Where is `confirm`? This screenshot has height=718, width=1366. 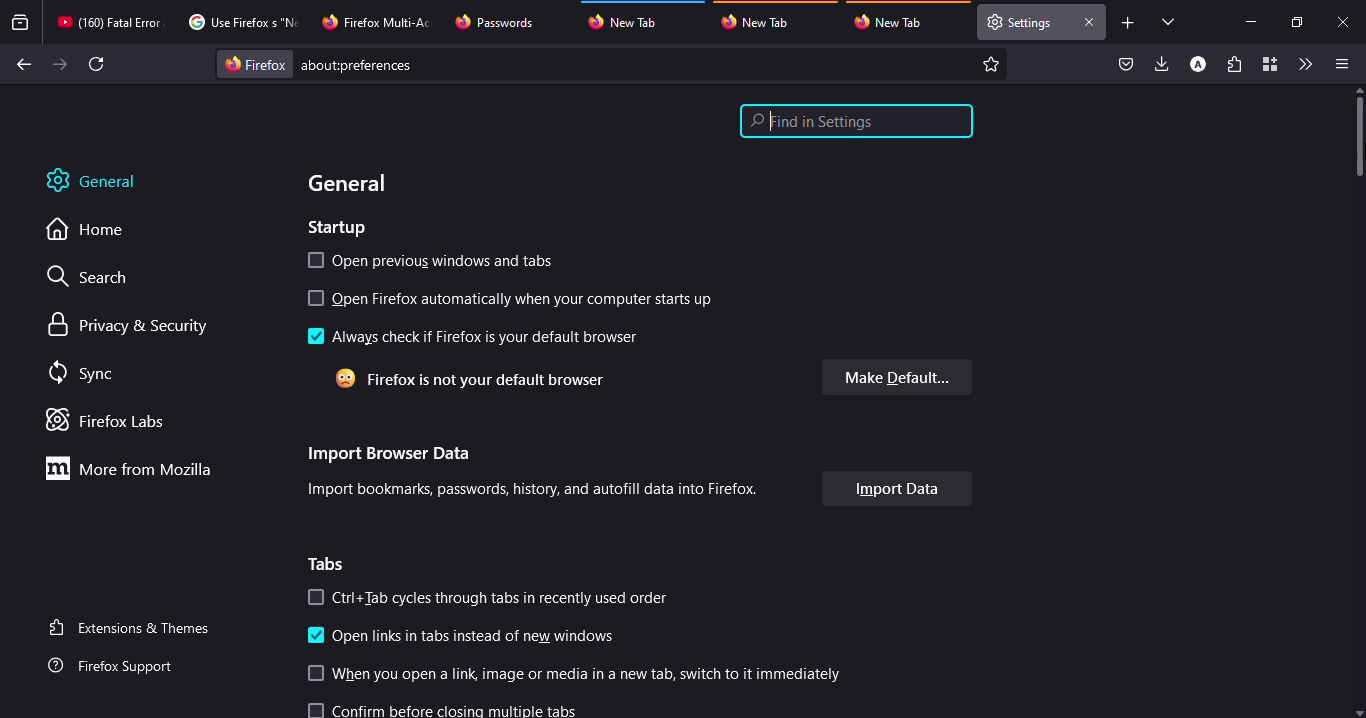
confirm is located at coordinates (465, 709).